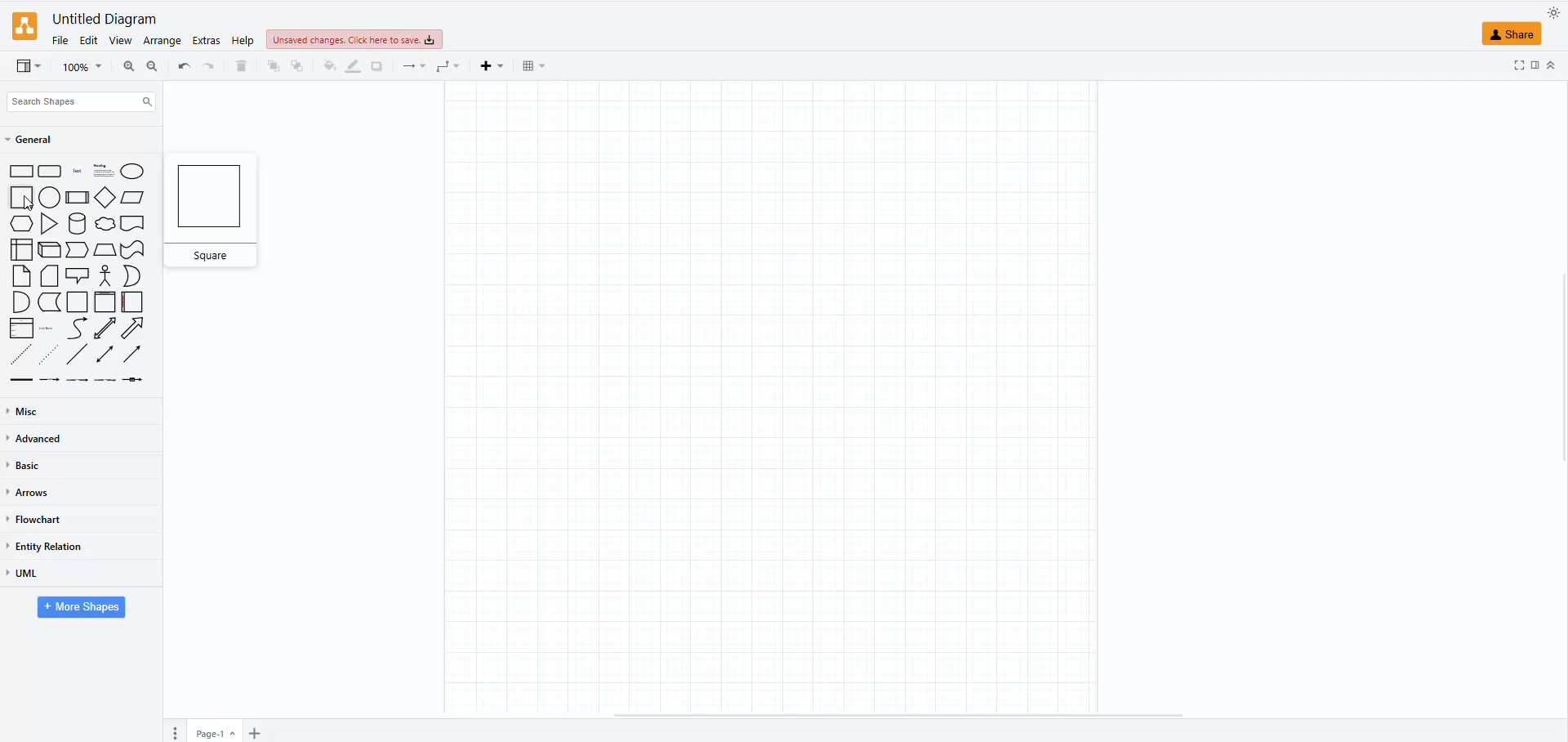  Describe the element at coordinates (1519, 69) in the screenshot. I see `forma` at that location.